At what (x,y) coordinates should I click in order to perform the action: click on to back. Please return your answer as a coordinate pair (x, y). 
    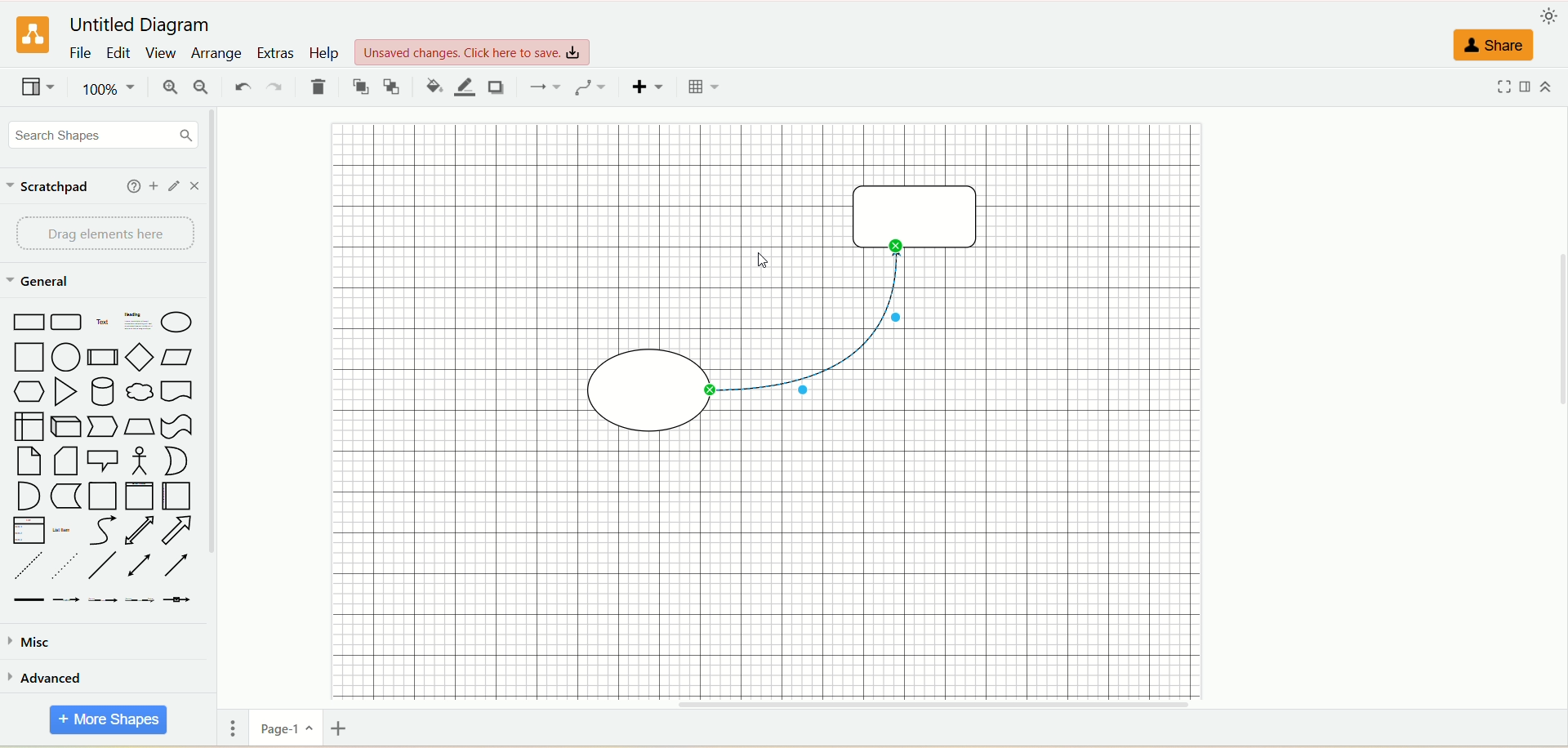
    Looking at the image, I should click on (394, 87).